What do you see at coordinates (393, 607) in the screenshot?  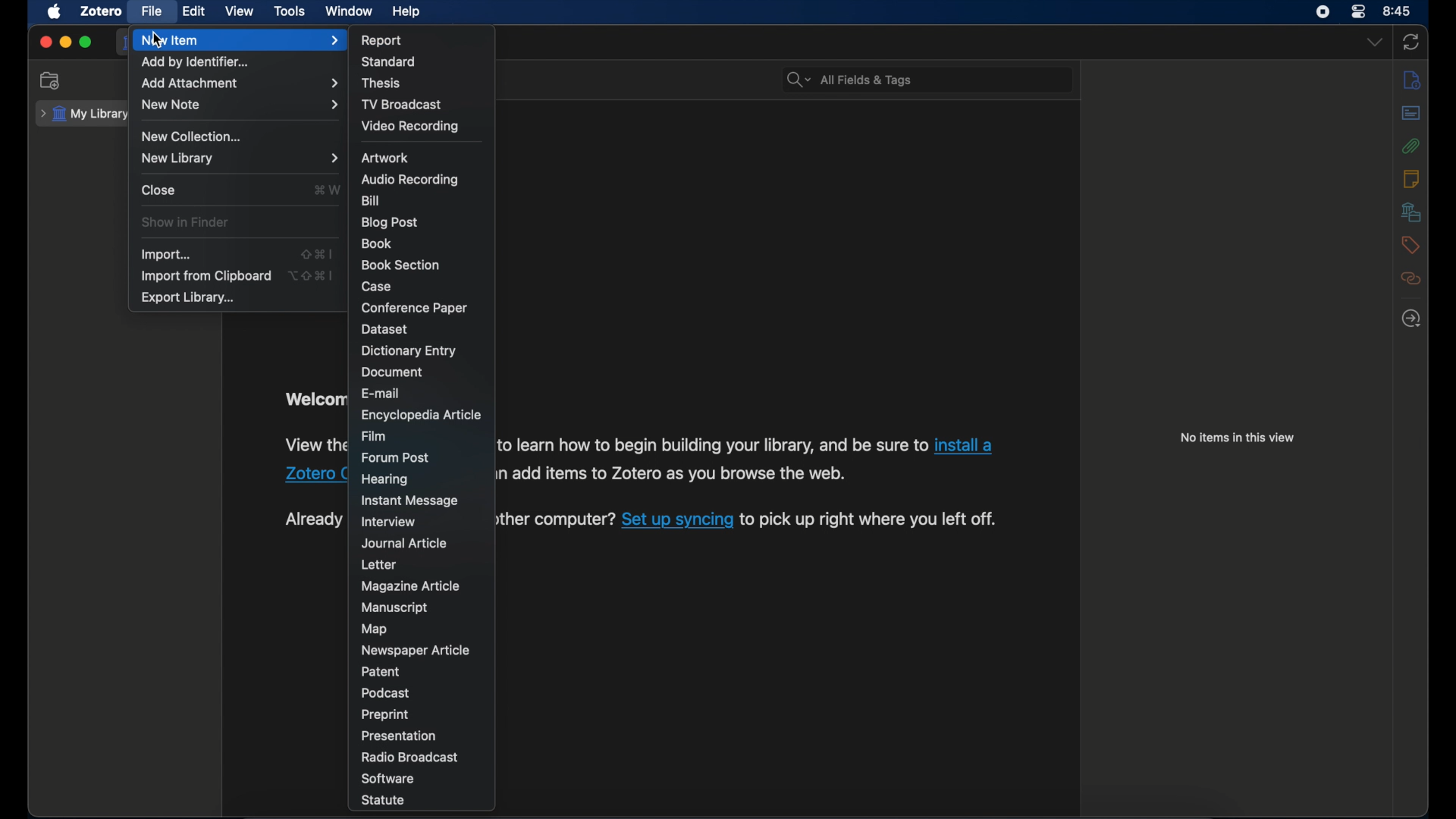 I see `manuscript` at bounding box center [393, 607].